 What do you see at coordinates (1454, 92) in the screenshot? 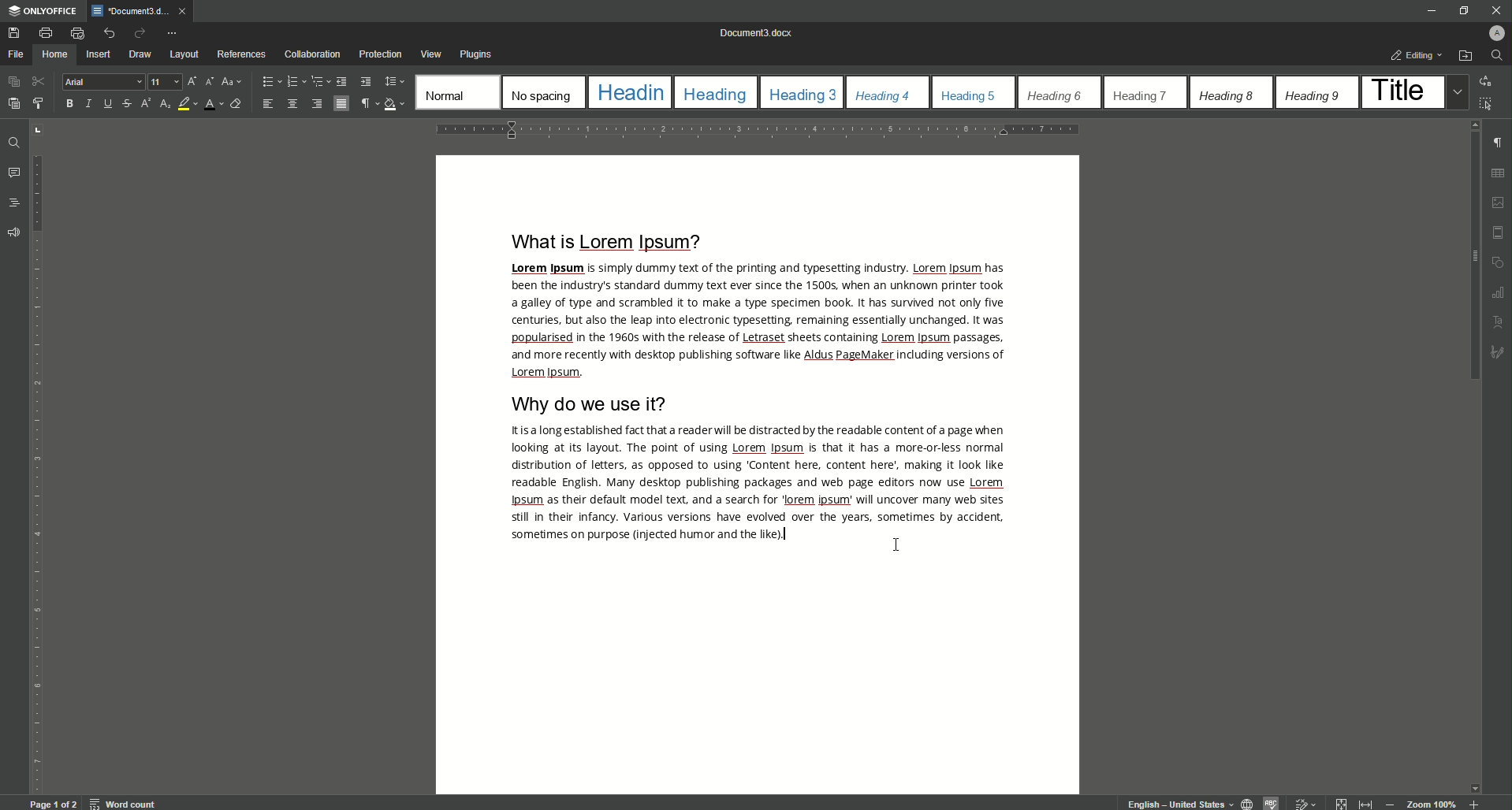
I see `Drop down` at bounding box center [1454, 92].